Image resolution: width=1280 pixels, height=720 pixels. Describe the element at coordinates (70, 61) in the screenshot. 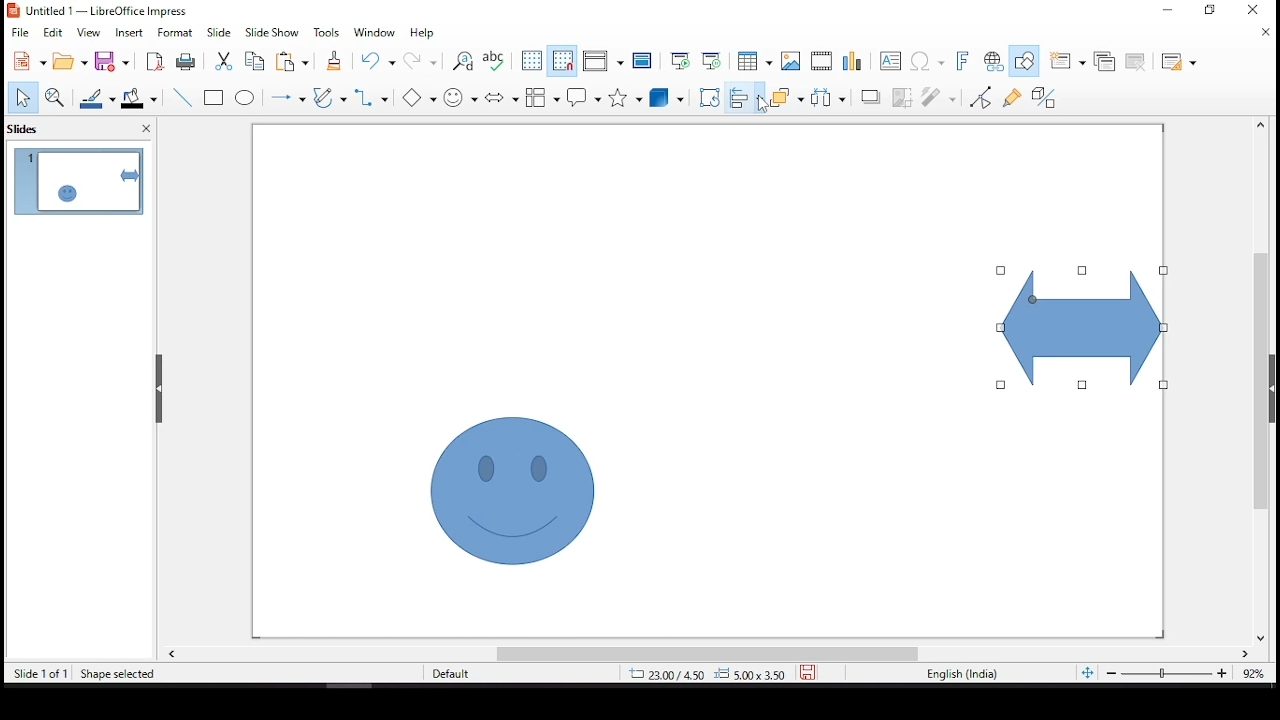

I see `open` at that location.